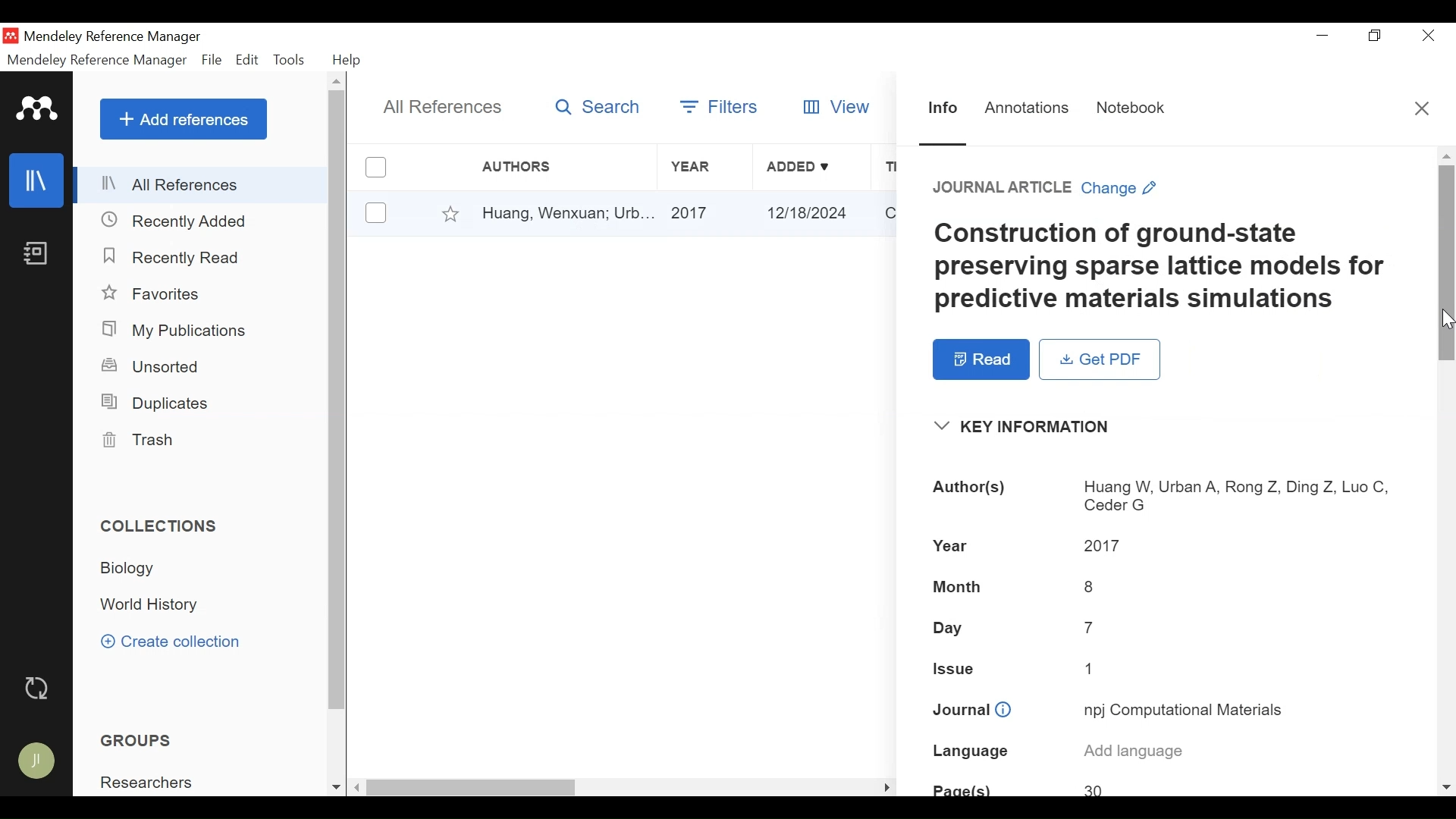 This screenshot has height=819, width=1456. I want to click on Filters, so click(720, 104).